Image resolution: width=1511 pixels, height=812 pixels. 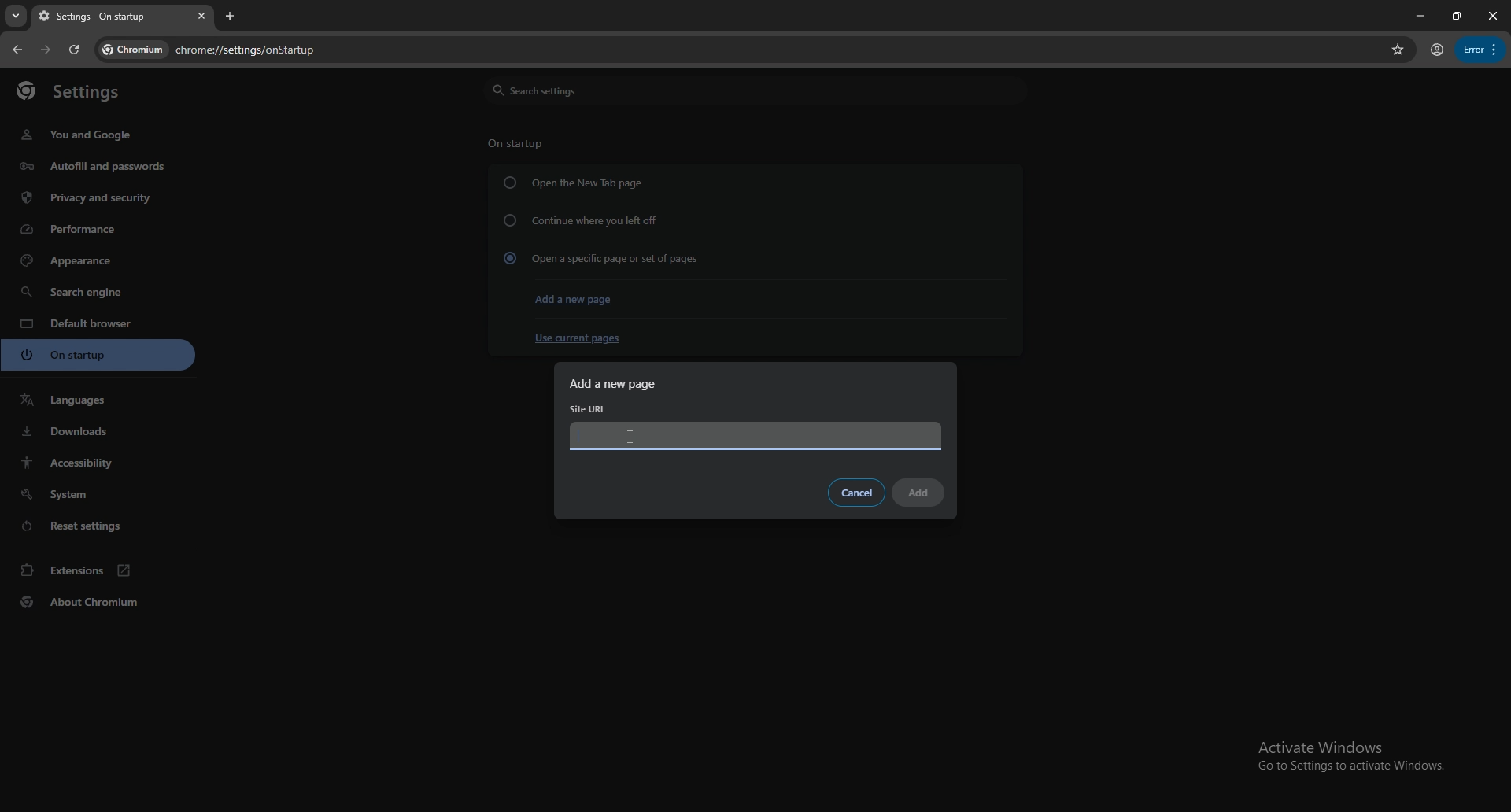 What do you see at coordinates (573, 183) in the screenshot?
I see `open the new tab page` at bounding box center [573, 183].